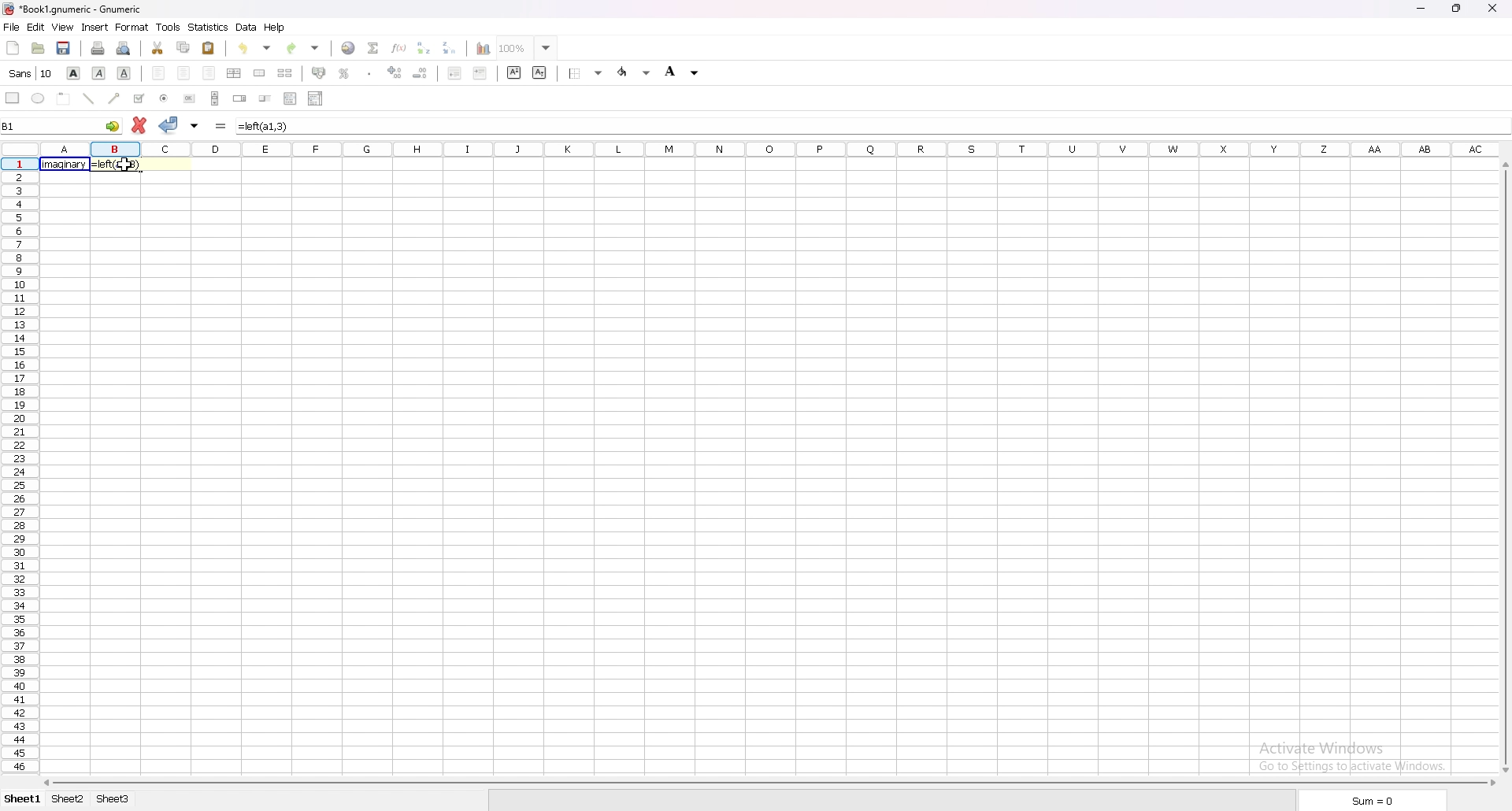 This screenshot has width=1512, height=811. I want to click on combo box, so click(317, 99).